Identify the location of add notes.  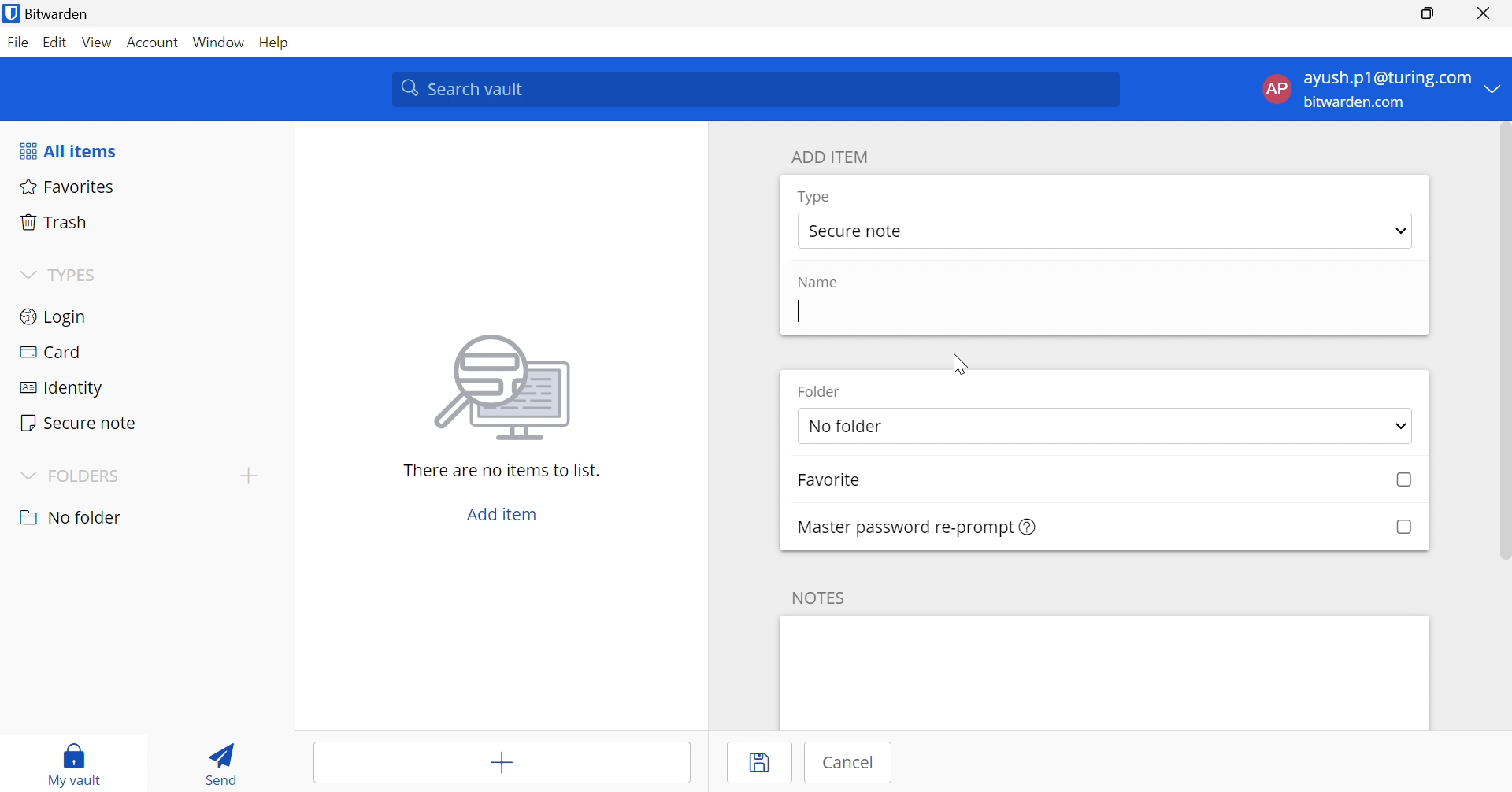
(1105, 671).